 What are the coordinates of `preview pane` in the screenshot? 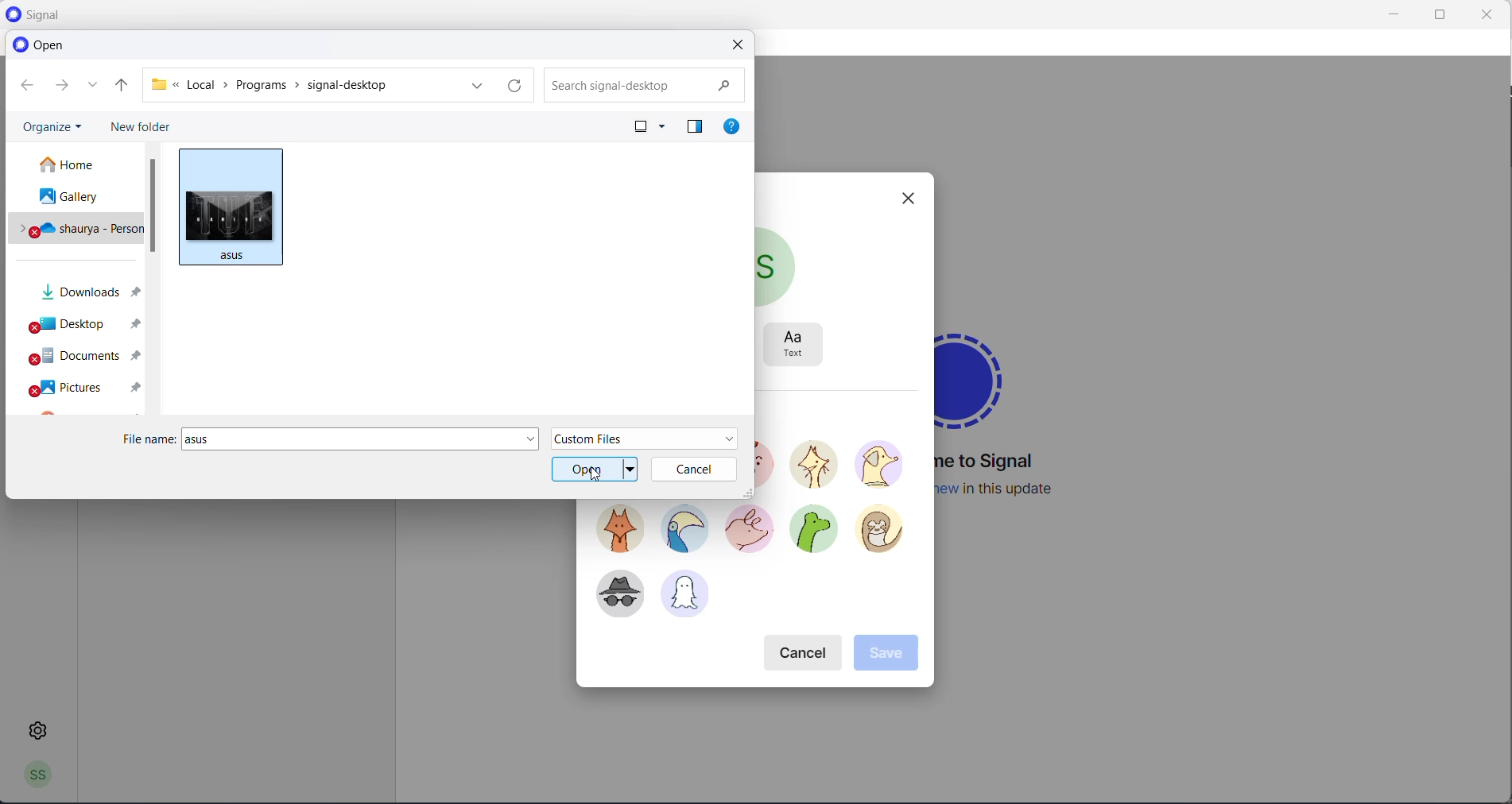 It's located at (696, 126).